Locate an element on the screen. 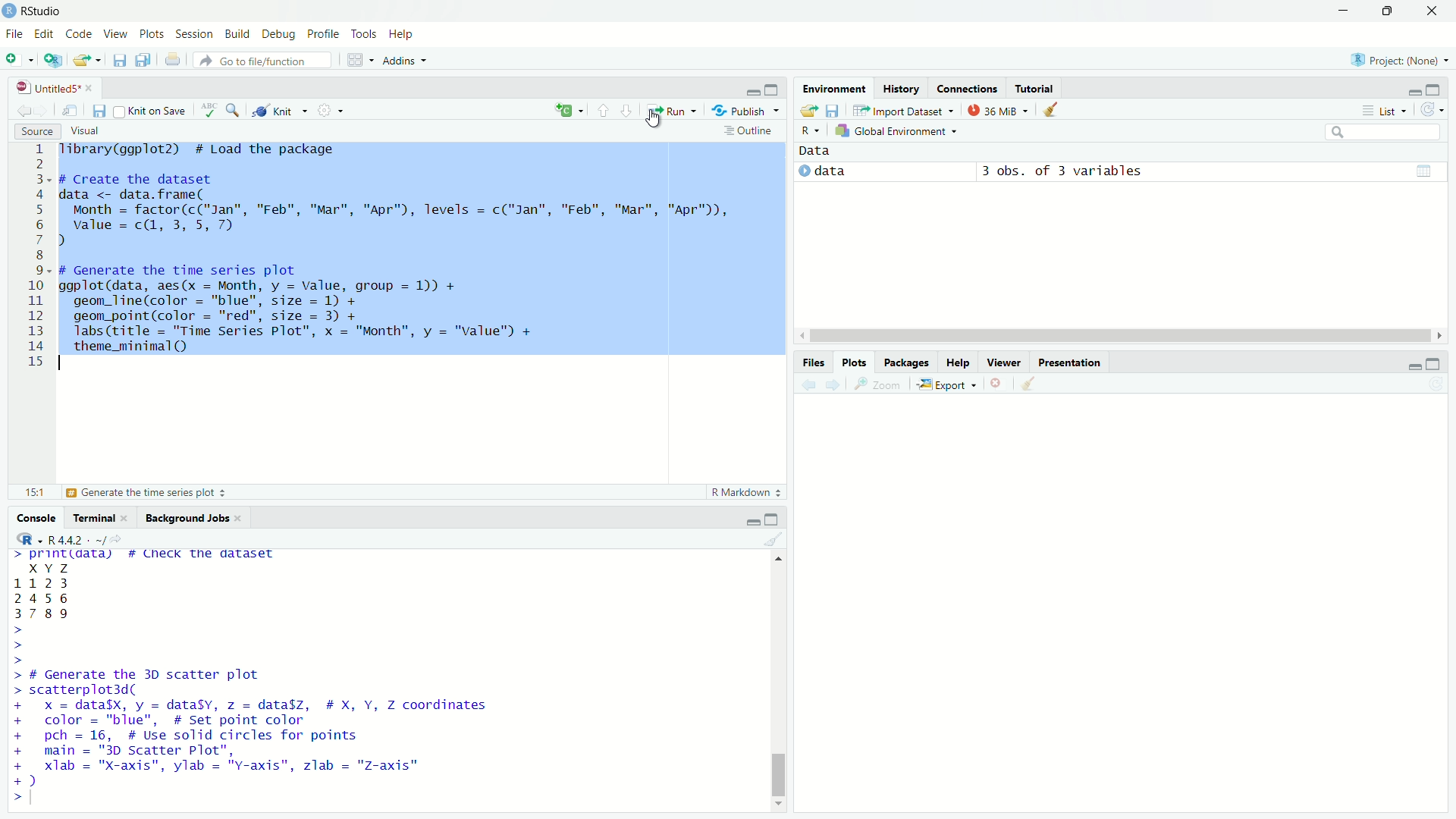 The height and width of the screenshot is (819, 1456). generate the time series plot is located at coordinates (152, 494).